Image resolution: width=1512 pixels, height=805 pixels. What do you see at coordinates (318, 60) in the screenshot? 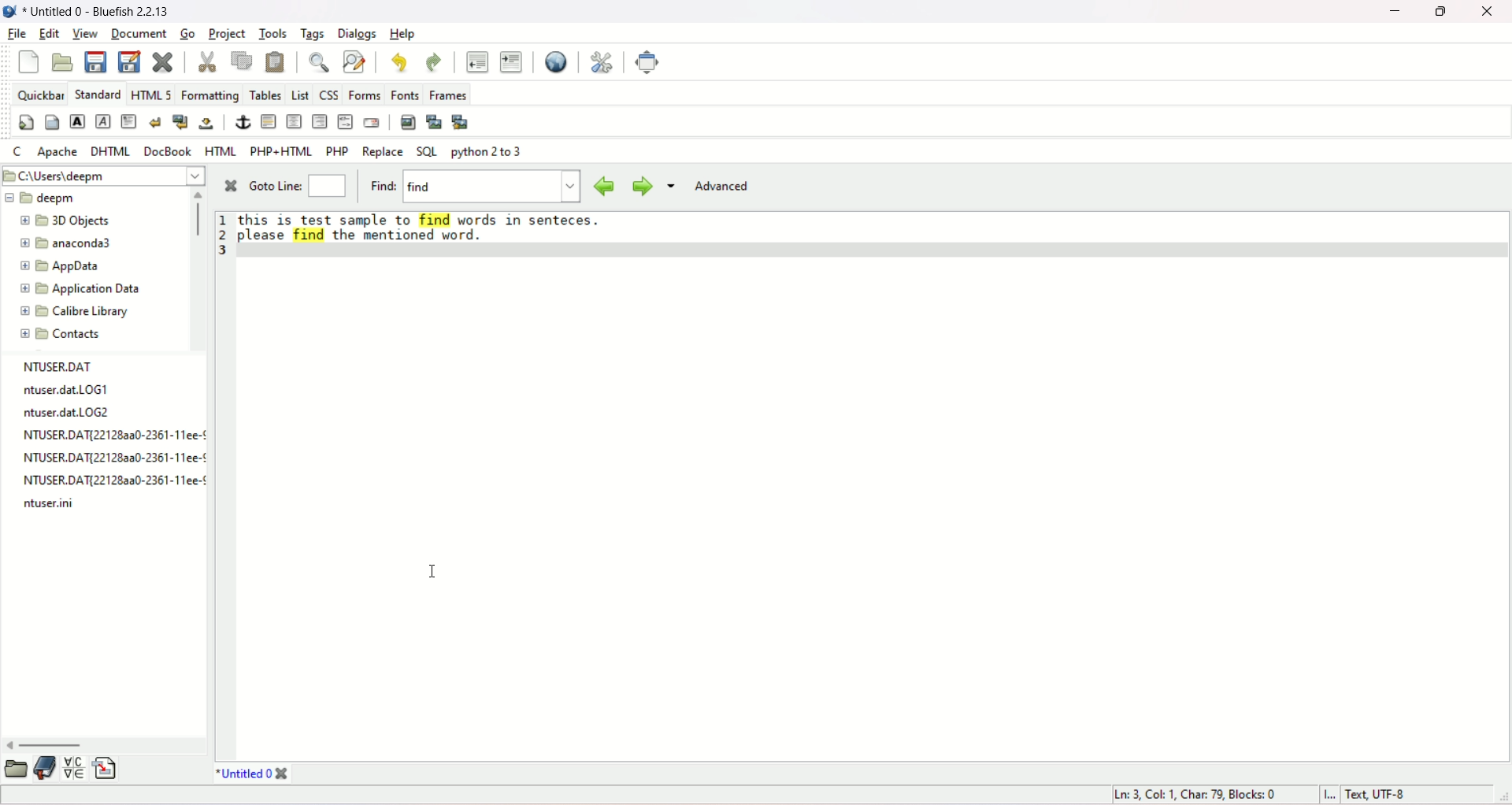
I see `show find bar` at bounding box center [318, 60].